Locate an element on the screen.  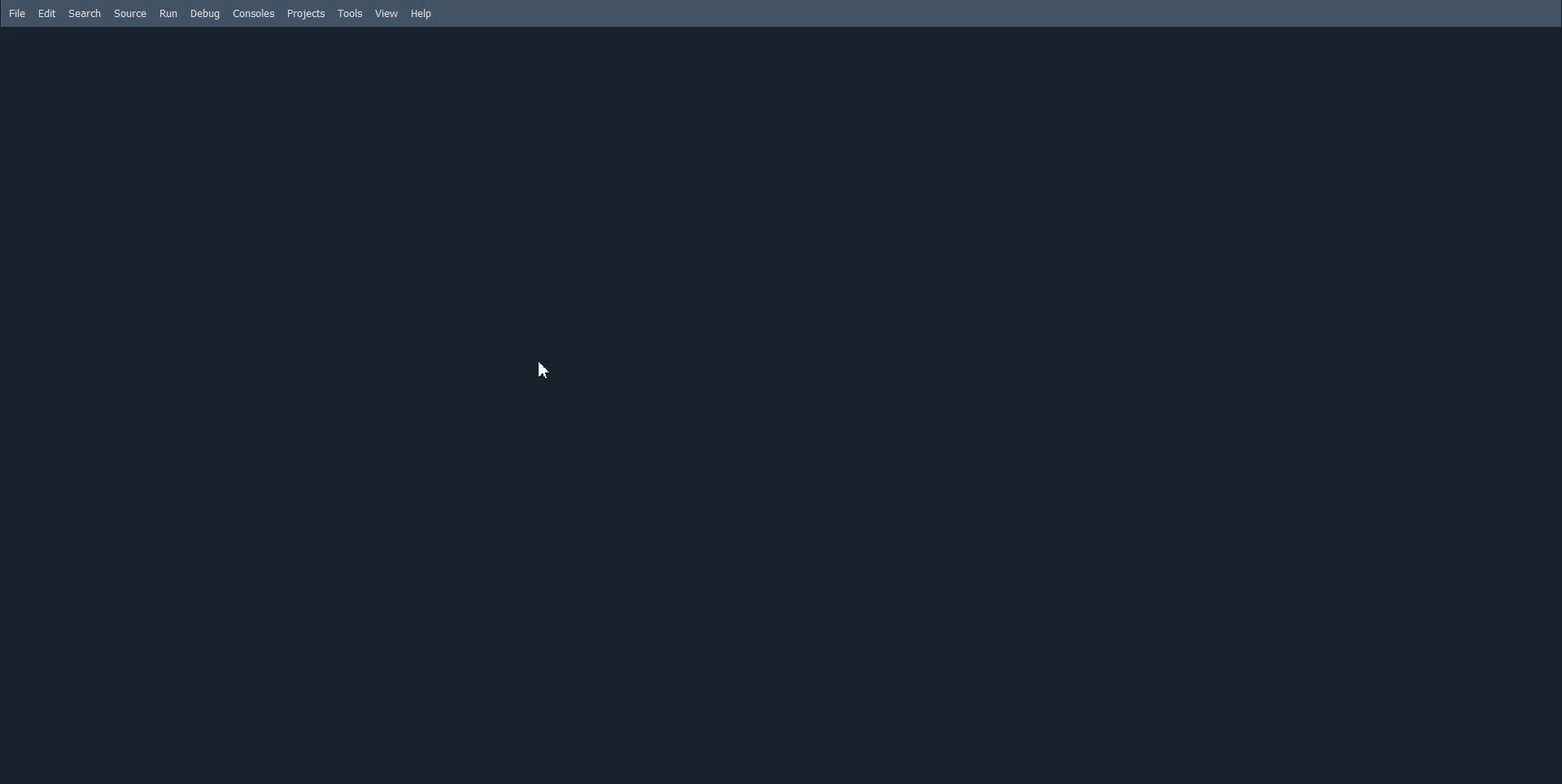
Run is located at coordinates (168, 13).